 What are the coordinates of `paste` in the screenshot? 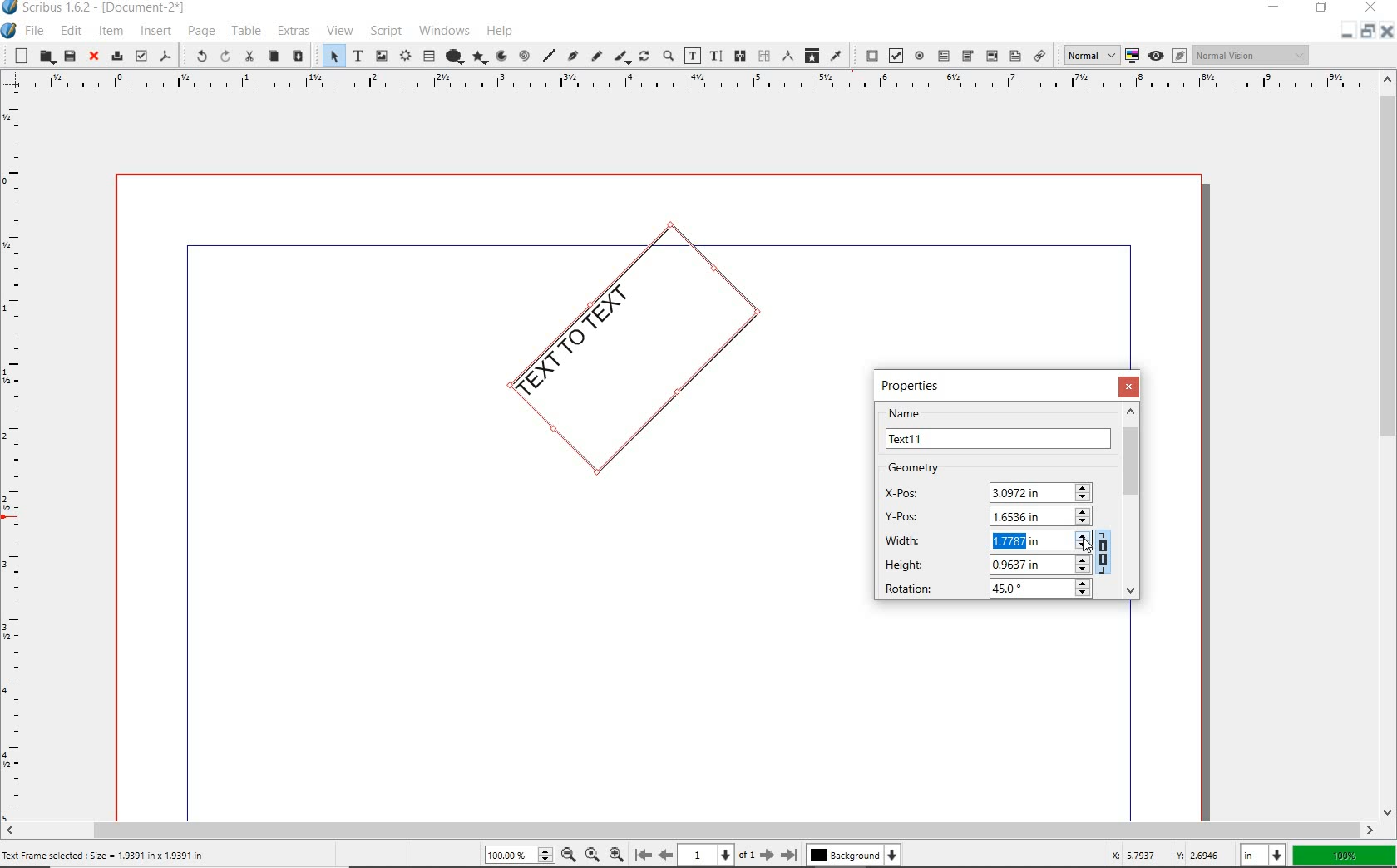 It's located at (298, 56).